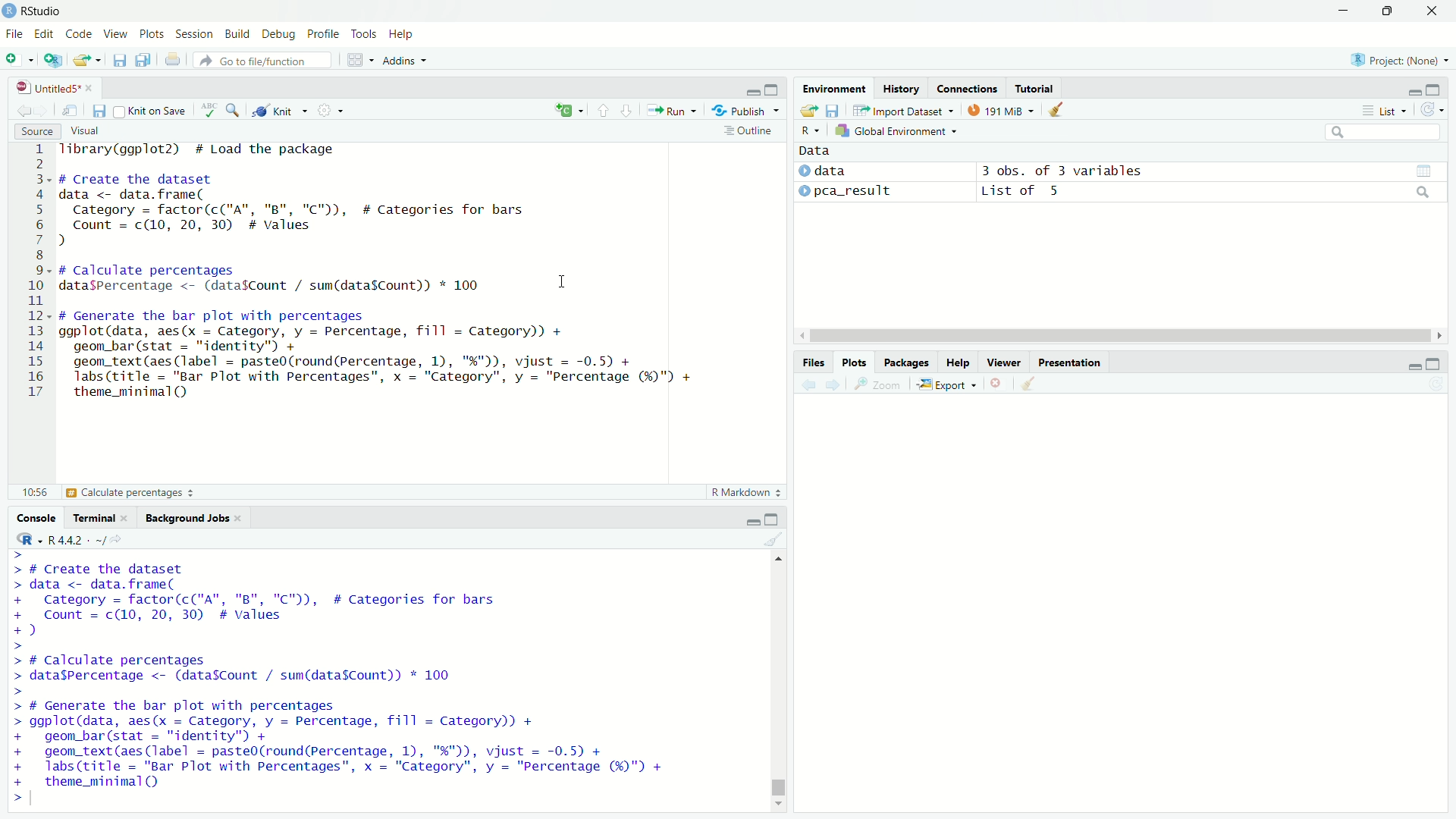 This screenshot has height=819, width=1456. I want to click on connections, so click(967, 89).